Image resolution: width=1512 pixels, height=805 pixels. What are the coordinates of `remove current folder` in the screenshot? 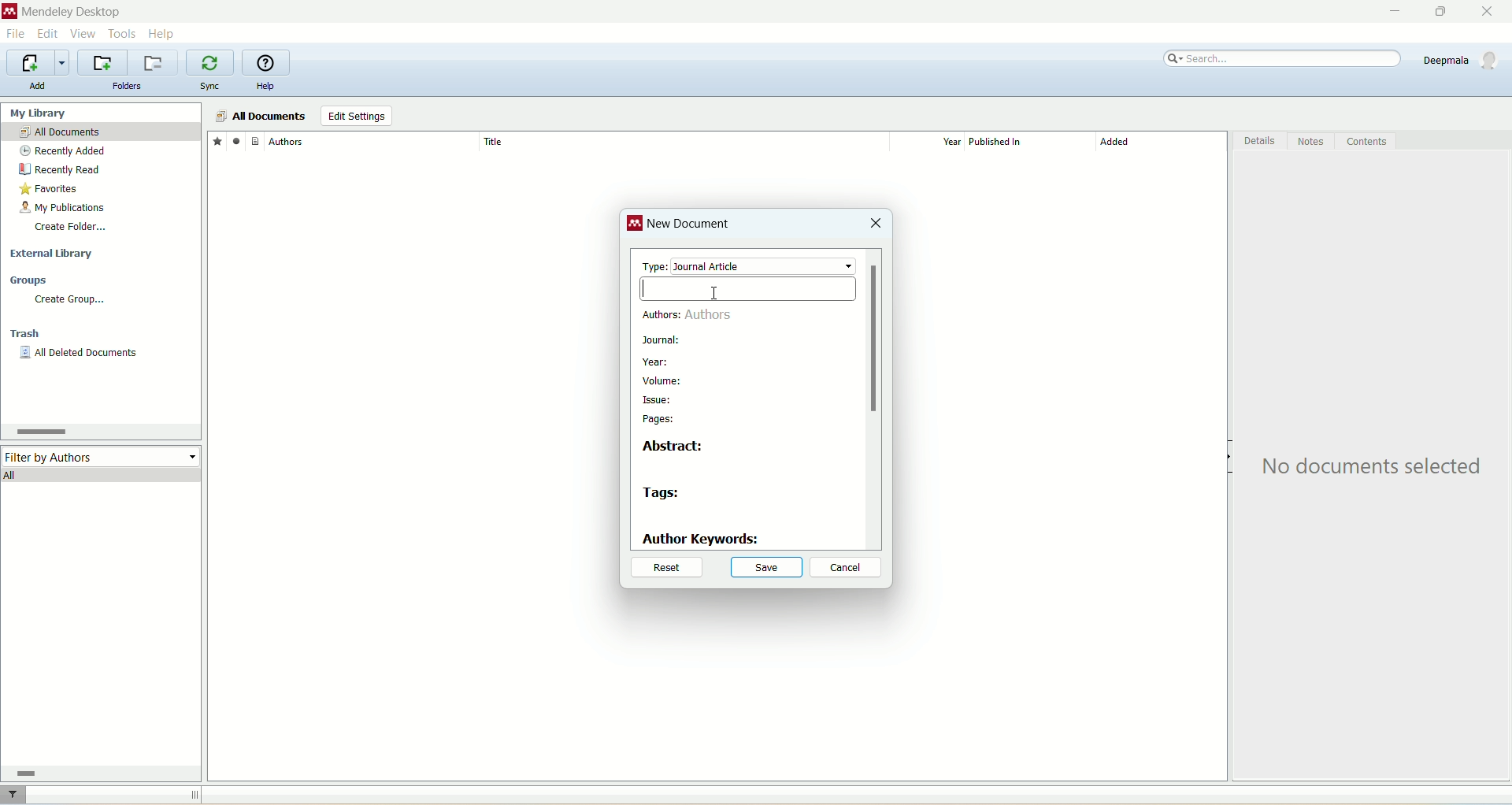 It's located at (155, 62).